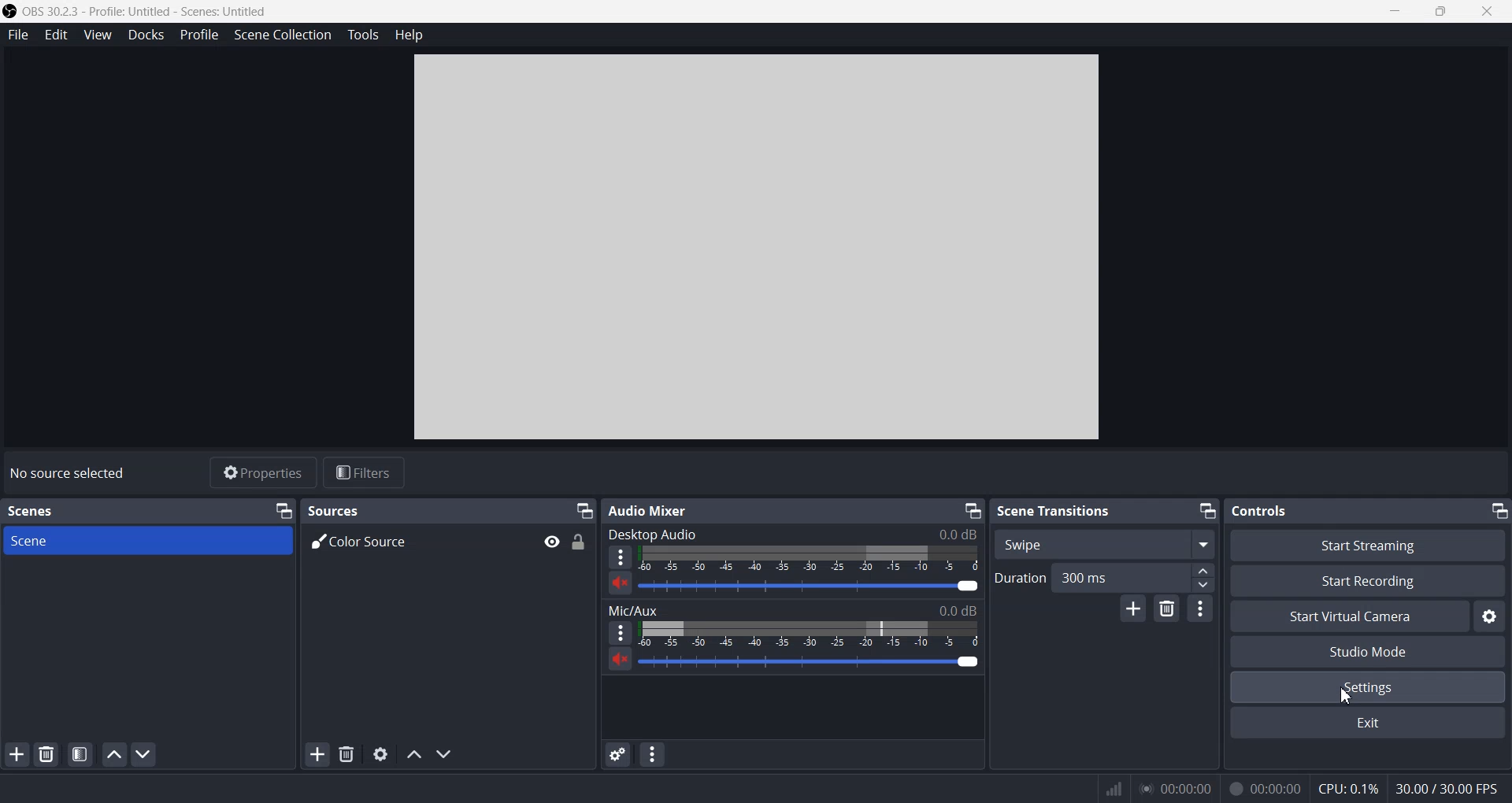  Describe the element at coordinates (621, 583) in the screenshot. I see `Mute/ Unmute` at that location.